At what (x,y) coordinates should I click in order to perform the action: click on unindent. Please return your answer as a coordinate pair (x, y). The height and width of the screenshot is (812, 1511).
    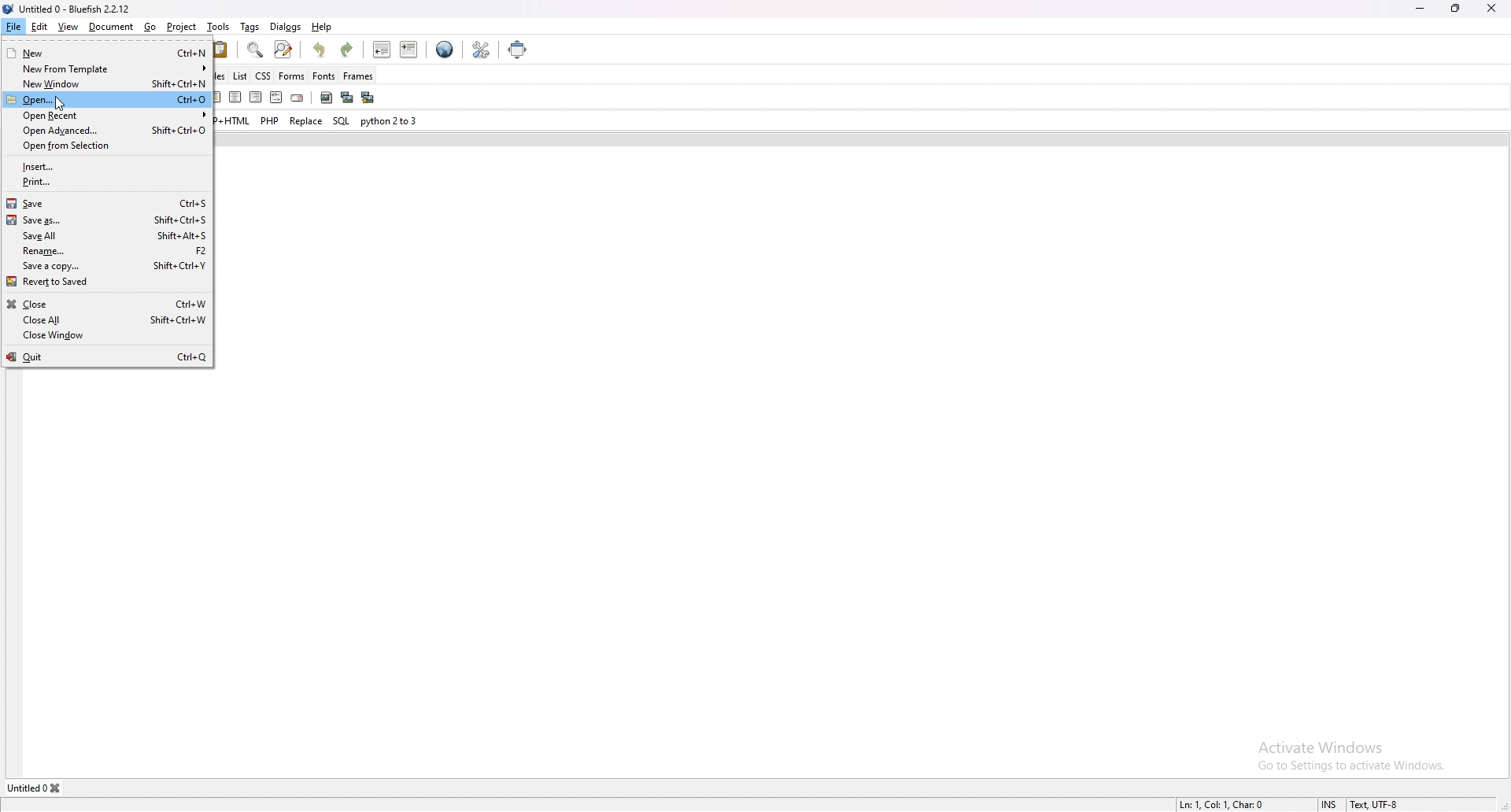
    Looking at the image, I should click on (383, 49).